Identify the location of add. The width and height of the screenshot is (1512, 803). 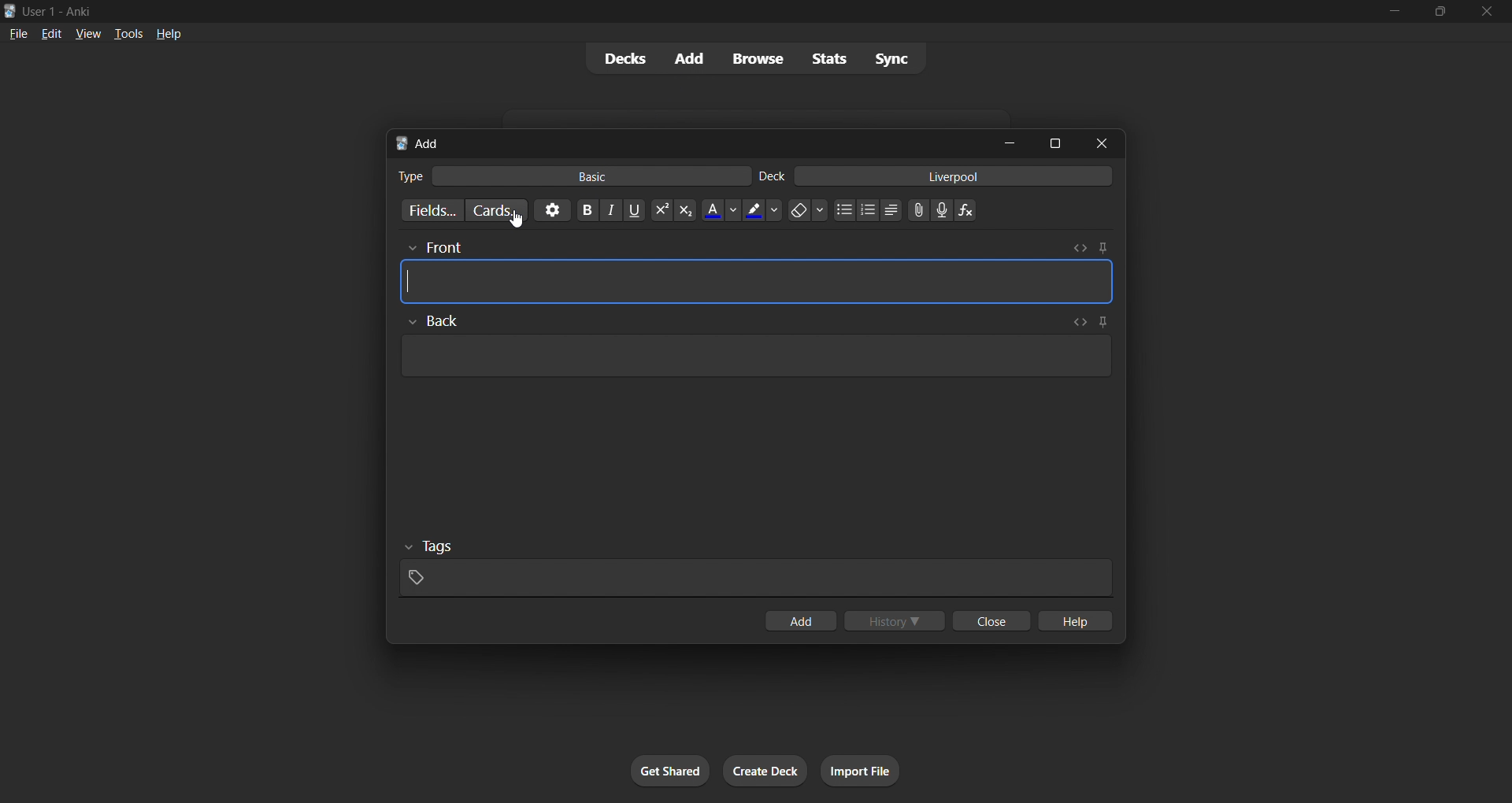
(685, 56).